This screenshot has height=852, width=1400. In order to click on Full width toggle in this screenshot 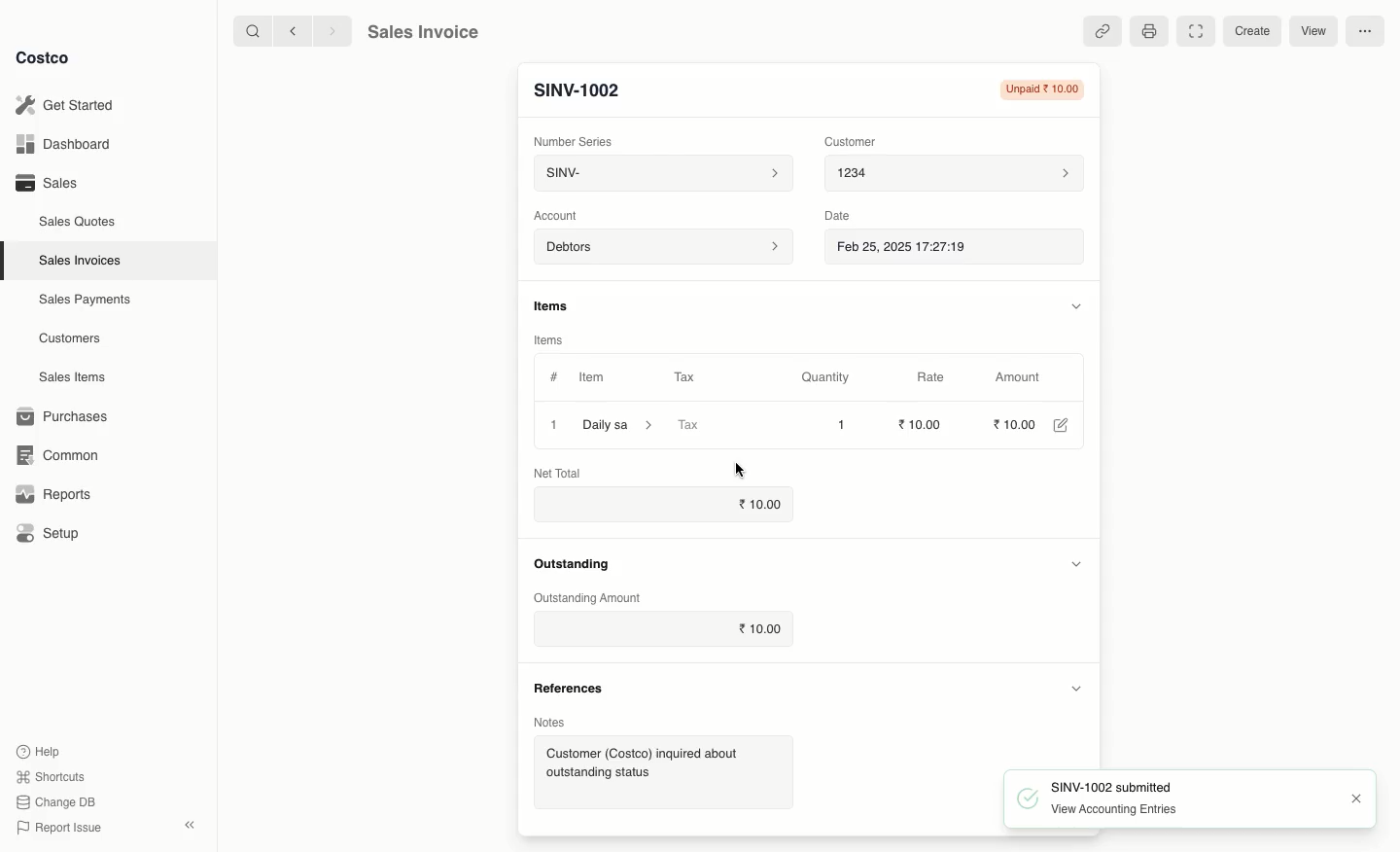, I will do `click(1197, 31)`.